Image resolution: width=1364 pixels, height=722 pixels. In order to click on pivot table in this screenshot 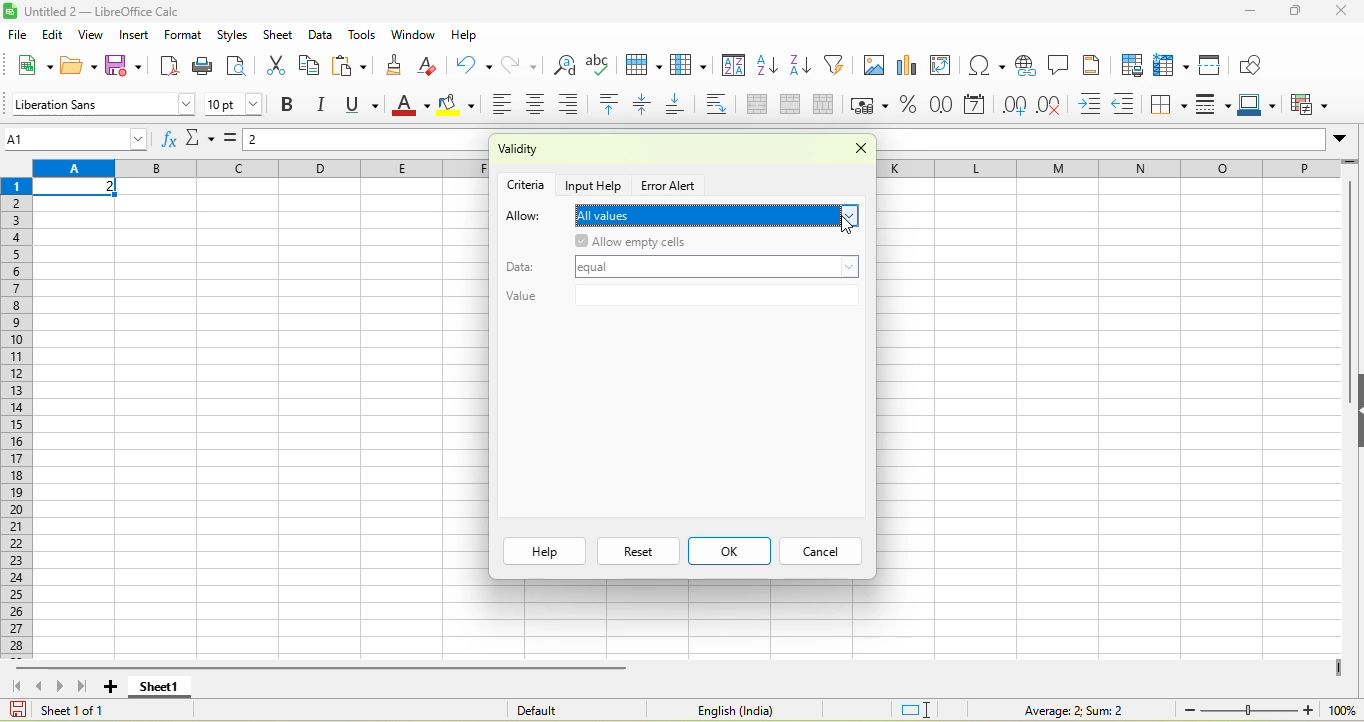, I will do `click(946, 67)`.